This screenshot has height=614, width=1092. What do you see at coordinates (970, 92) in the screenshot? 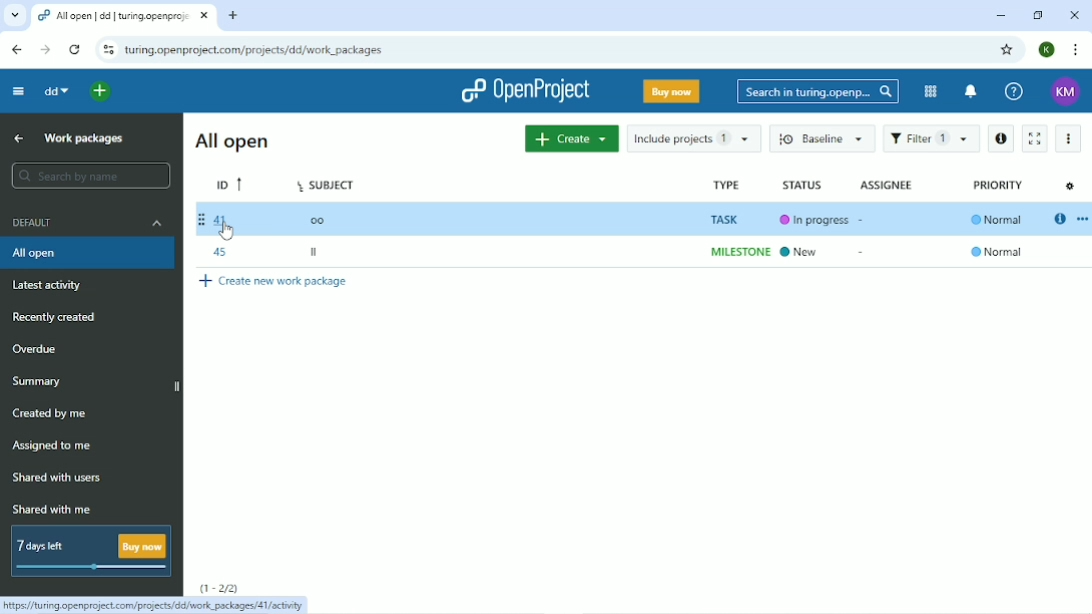
I see `To notification center` at bounding box center [970, 92].